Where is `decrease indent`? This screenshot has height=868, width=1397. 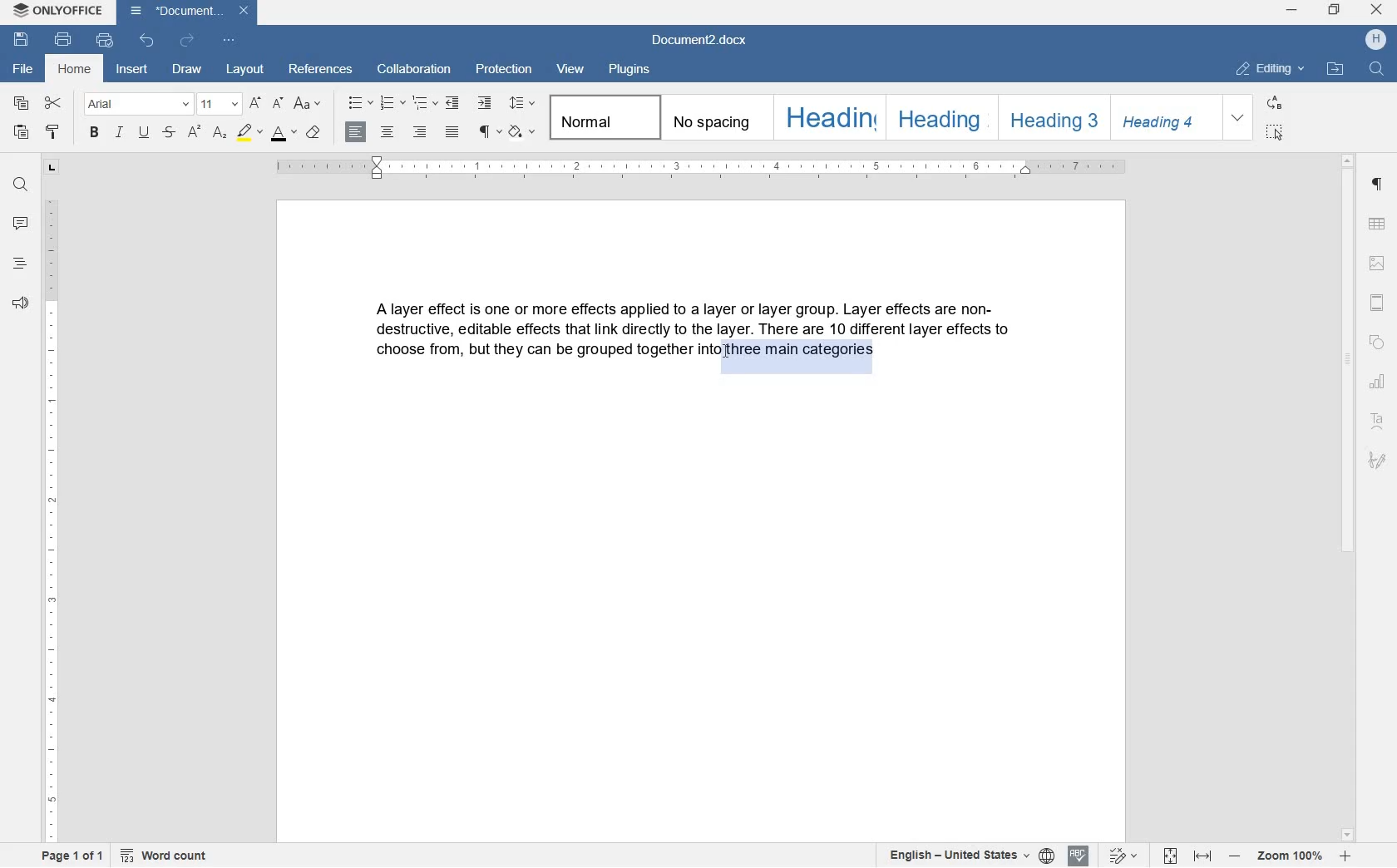
decrease indent is located at coordinates (454, 103).